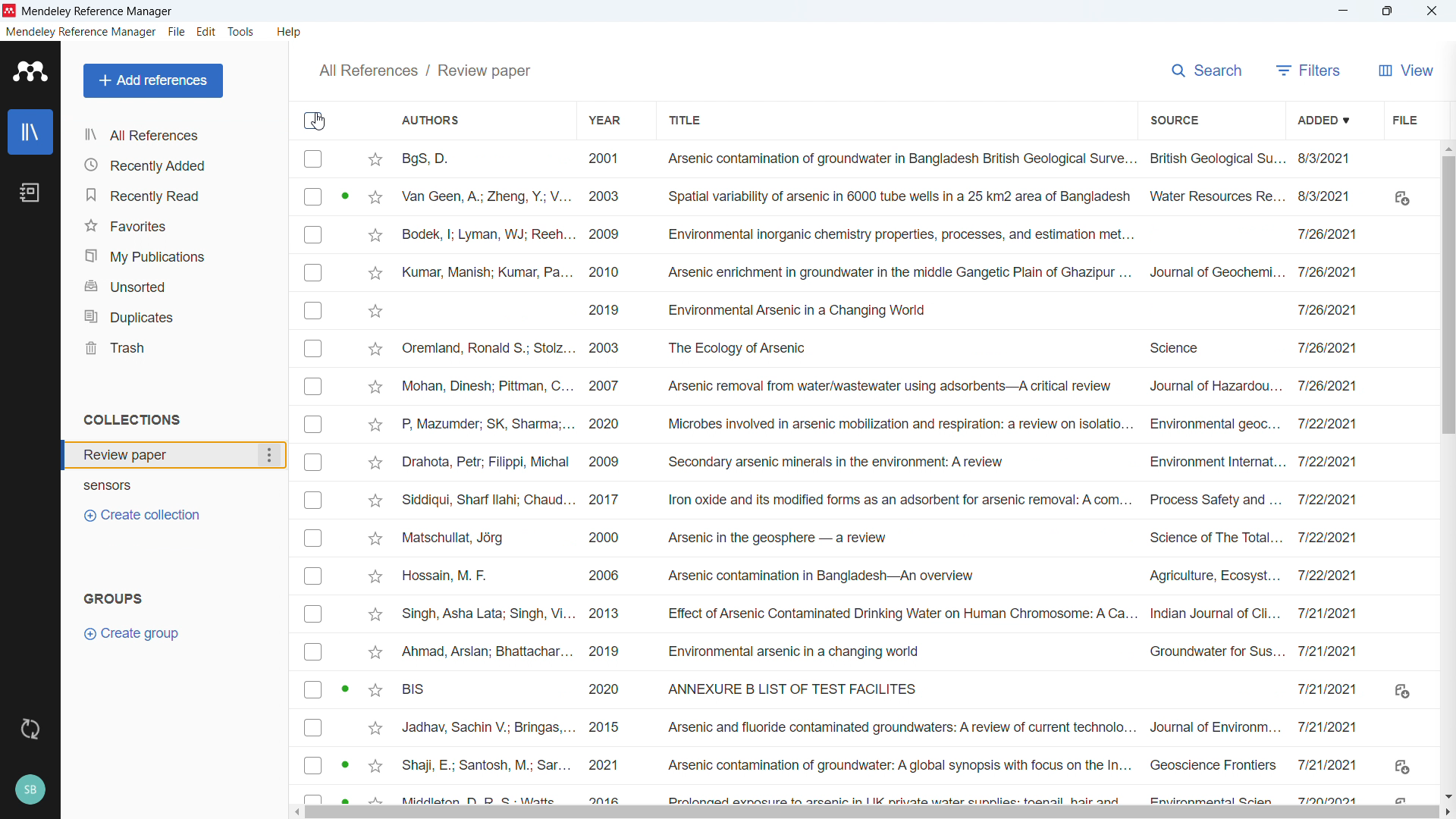  I want to click on Review paper, so click(176, 455).